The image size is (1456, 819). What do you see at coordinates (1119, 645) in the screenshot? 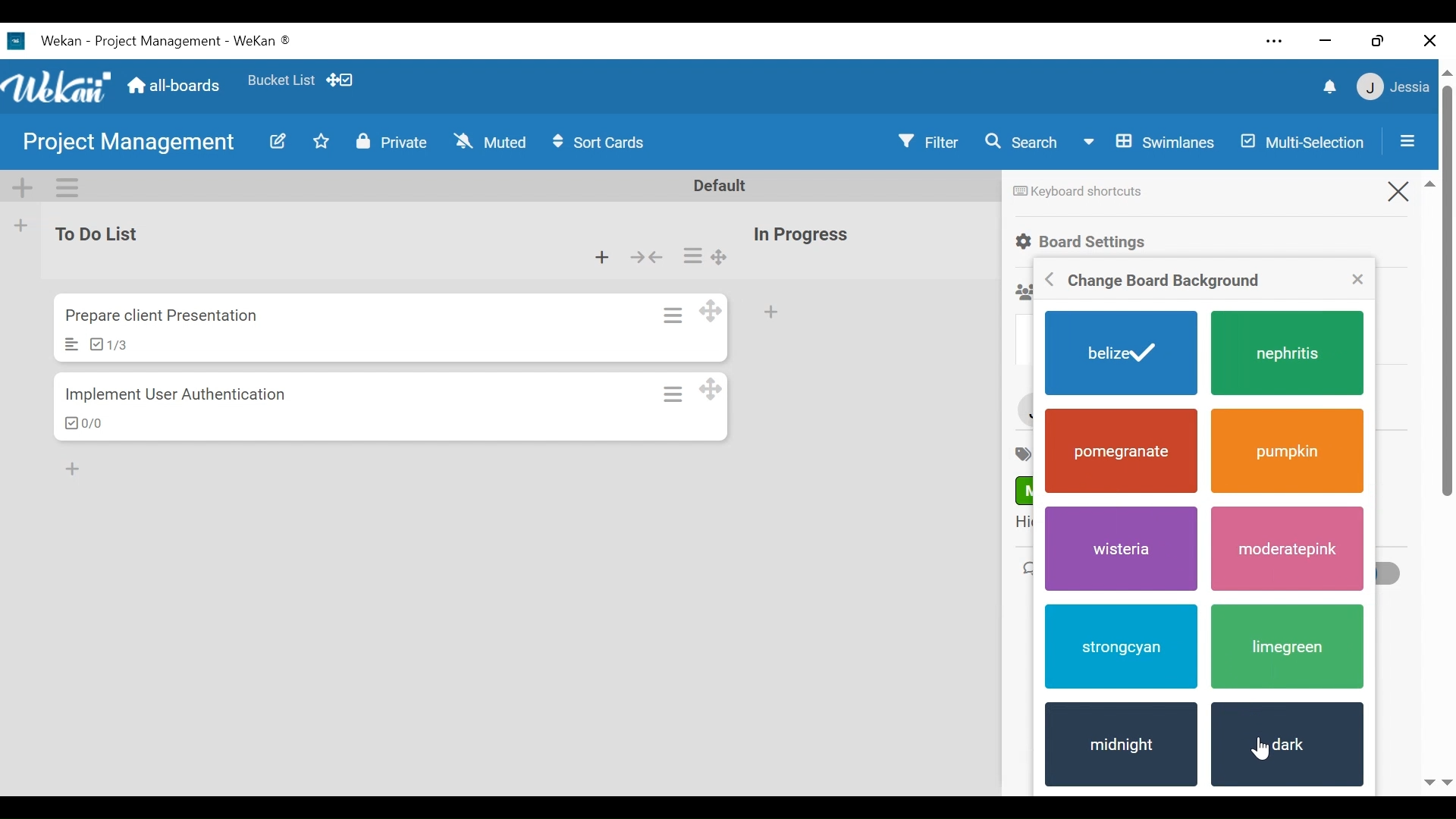
I see `strongcyan` at bounding box center [1119, 645].